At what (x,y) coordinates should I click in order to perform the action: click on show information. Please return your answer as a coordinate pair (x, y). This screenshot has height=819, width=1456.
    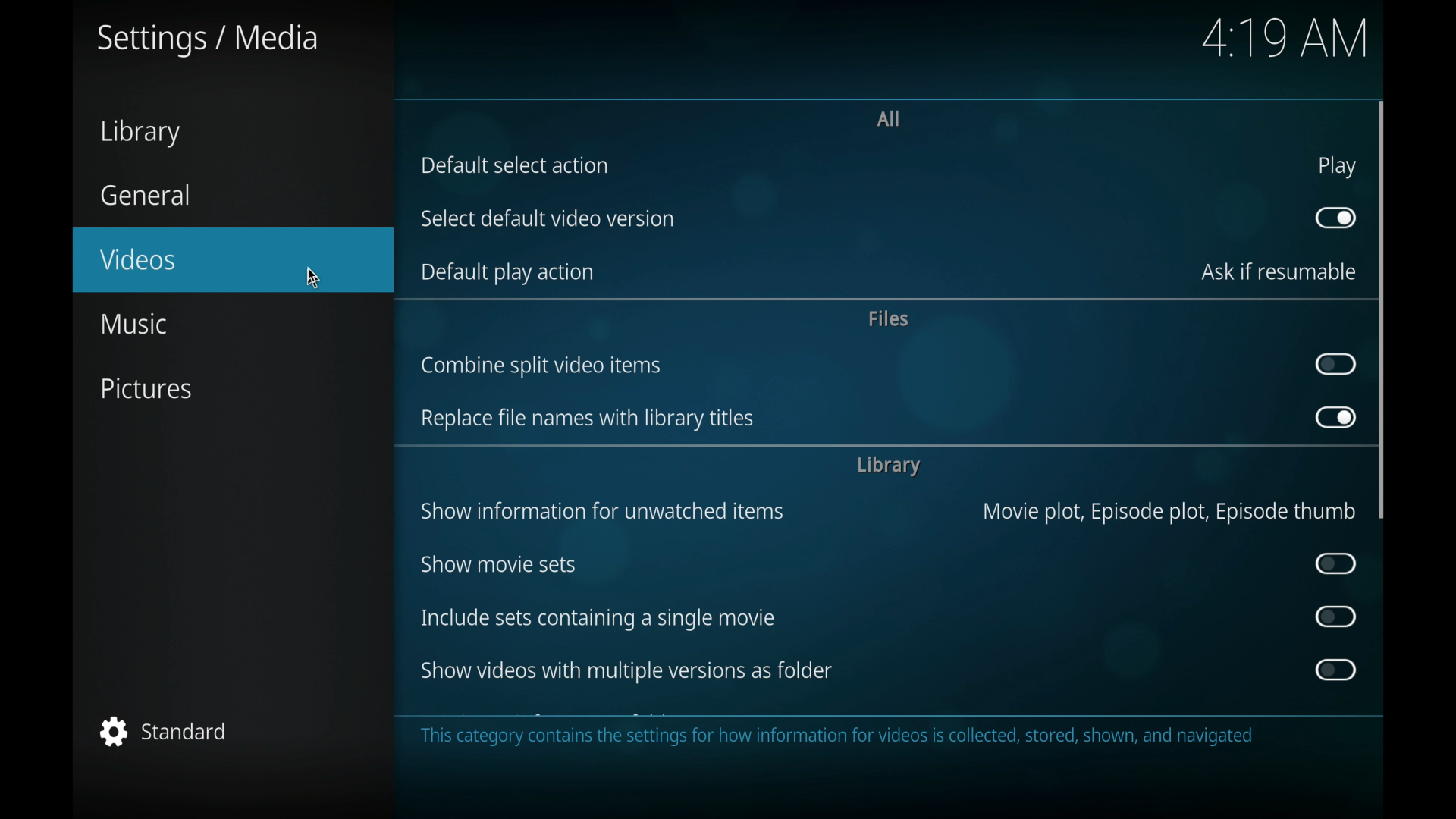
    Looking at the image, I should click on (602, 512).